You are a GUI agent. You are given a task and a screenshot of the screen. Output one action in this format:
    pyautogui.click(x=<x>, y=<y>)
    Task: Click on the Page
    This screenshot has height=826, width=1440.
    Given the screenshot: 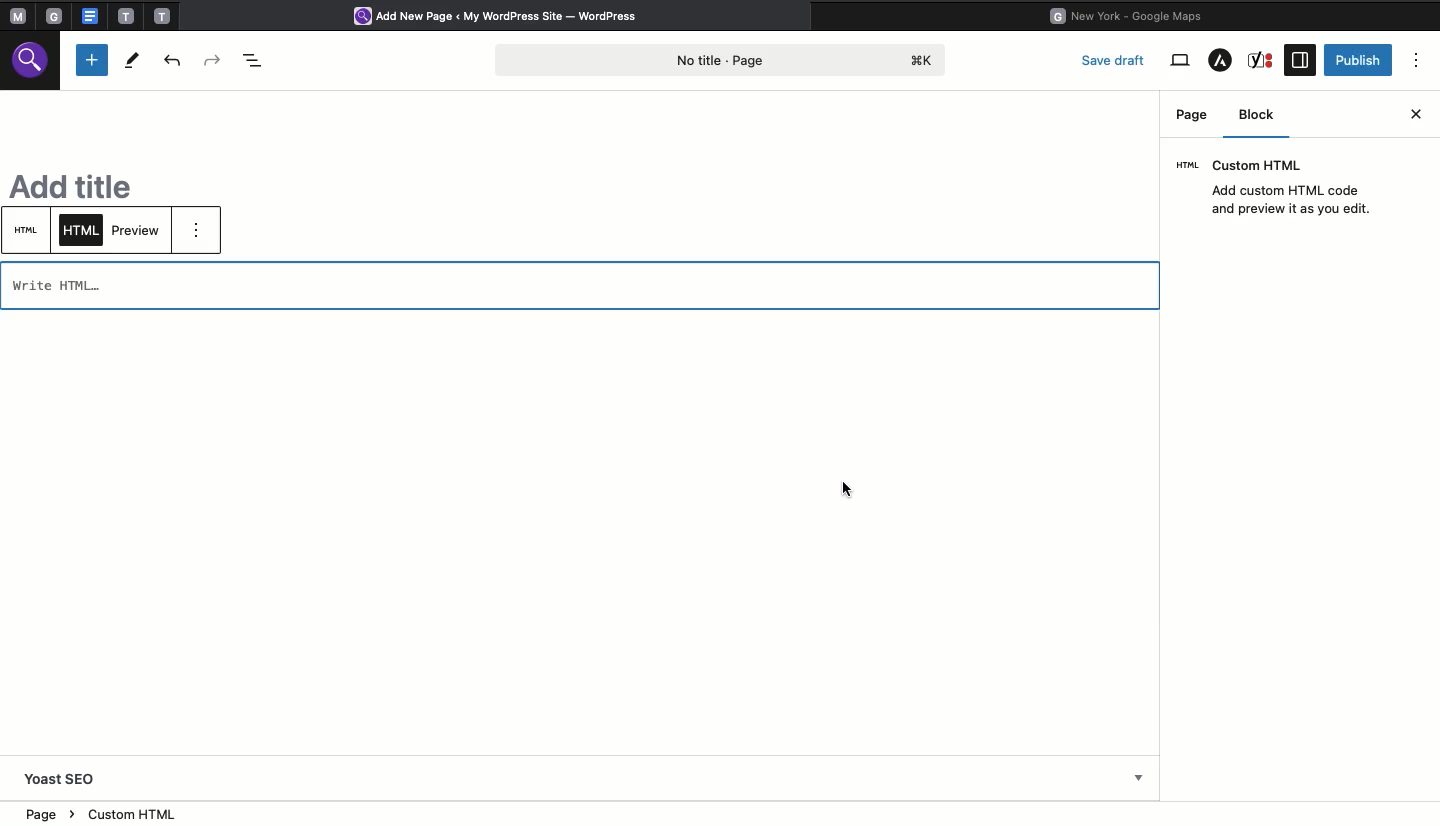 What is the action you would take?
    pyautogui.click(x=1192, y=114)
    